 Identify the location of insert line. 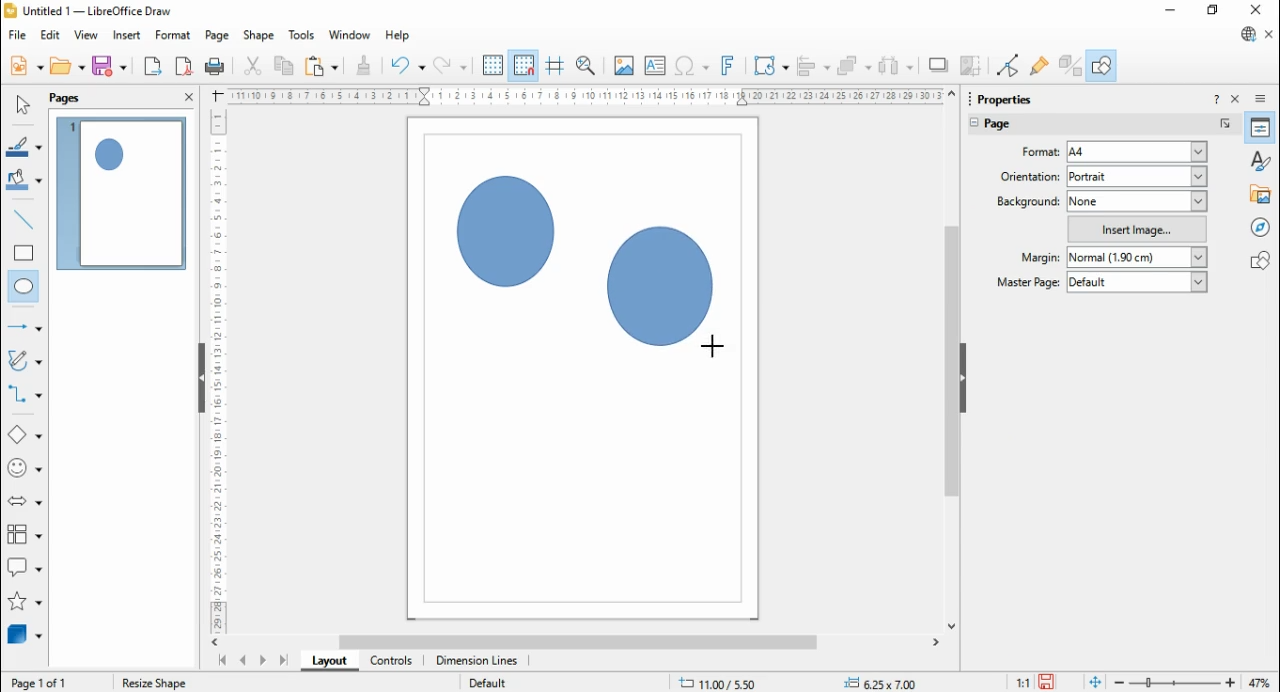
(26, 220).